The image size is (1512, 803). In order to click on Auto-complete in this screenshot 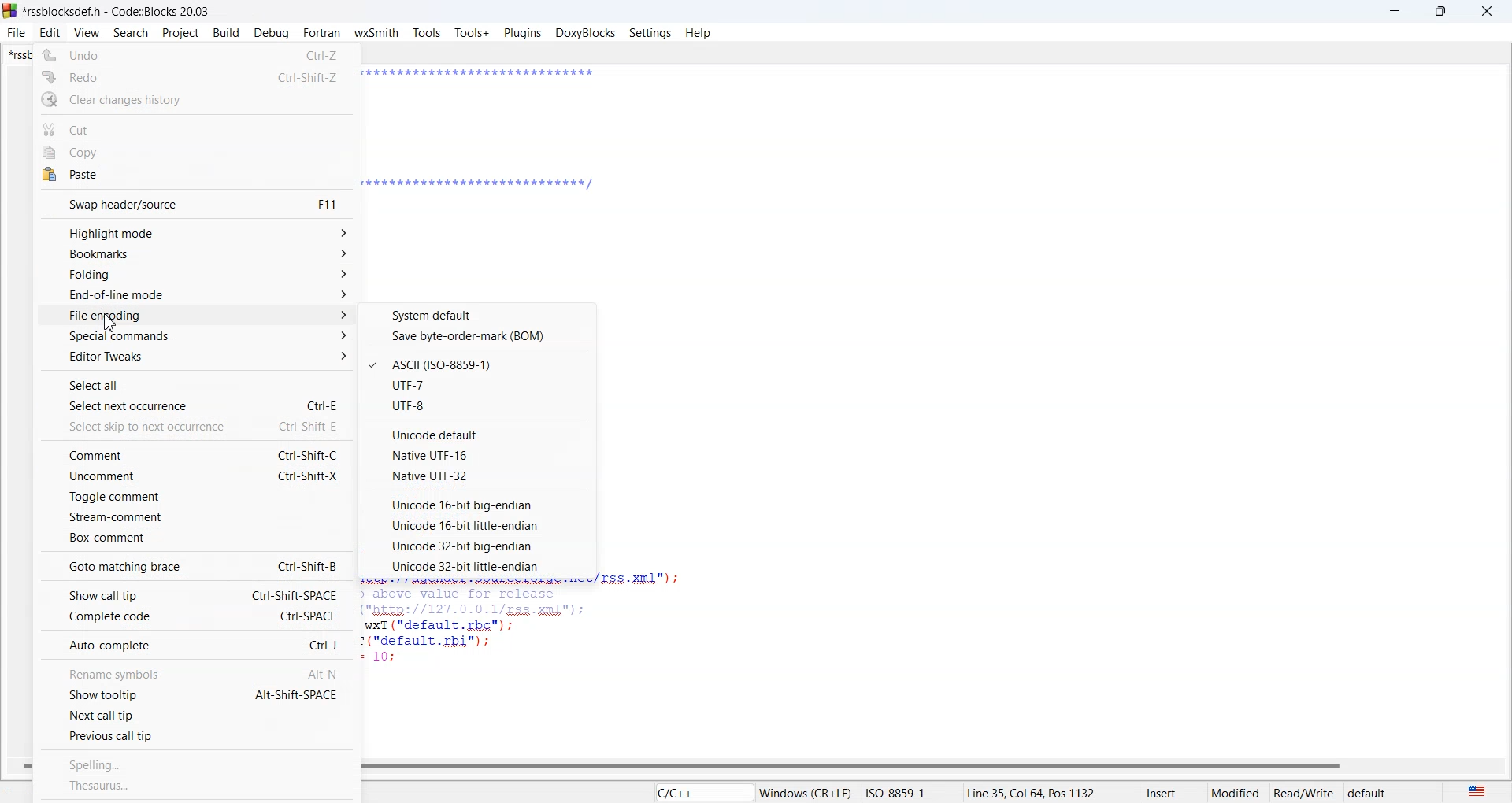, I will do `click(195, 645)`.